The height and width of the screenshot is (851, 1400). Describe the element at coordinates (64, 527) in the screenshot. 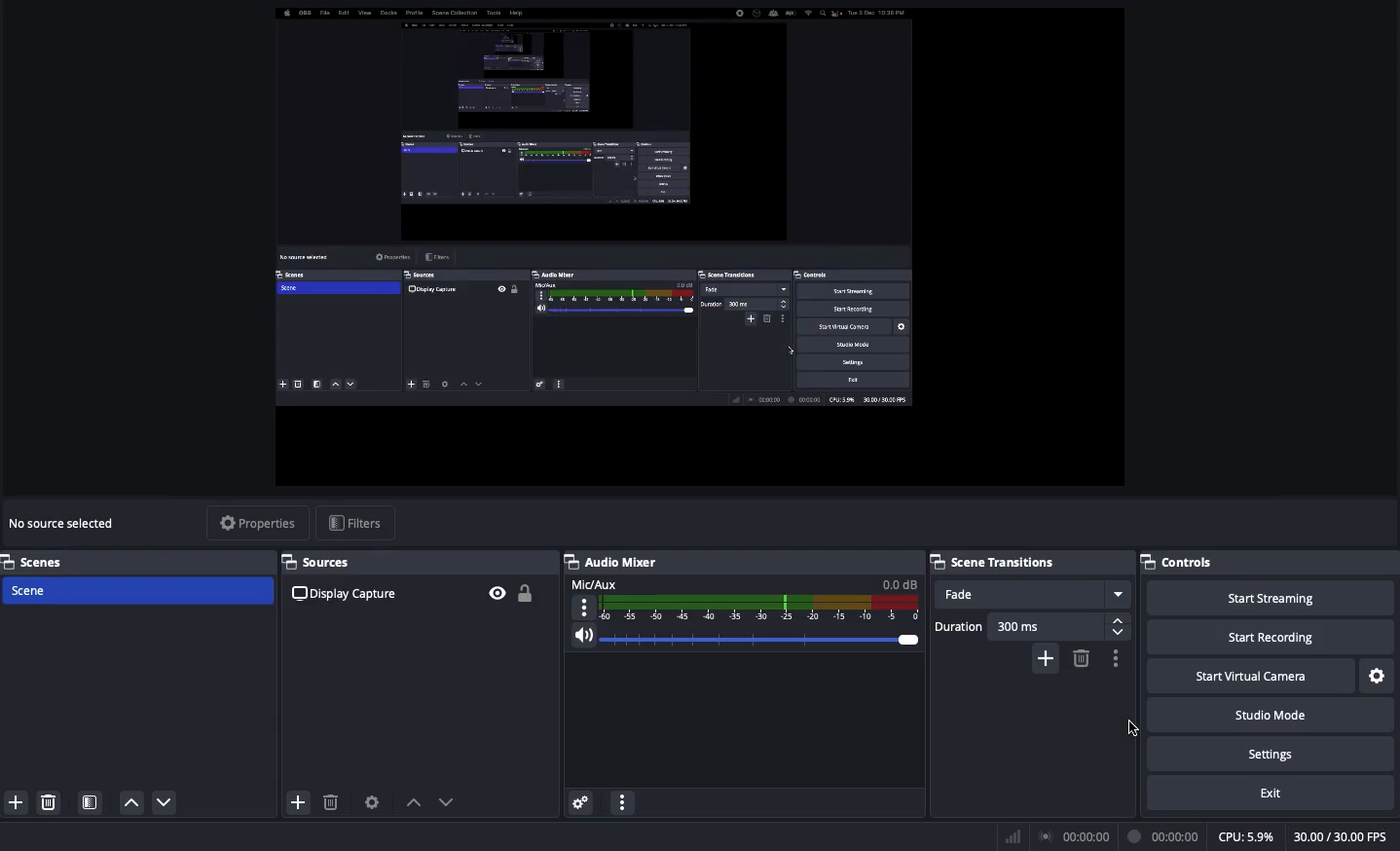

I see `No source selected` at that location.